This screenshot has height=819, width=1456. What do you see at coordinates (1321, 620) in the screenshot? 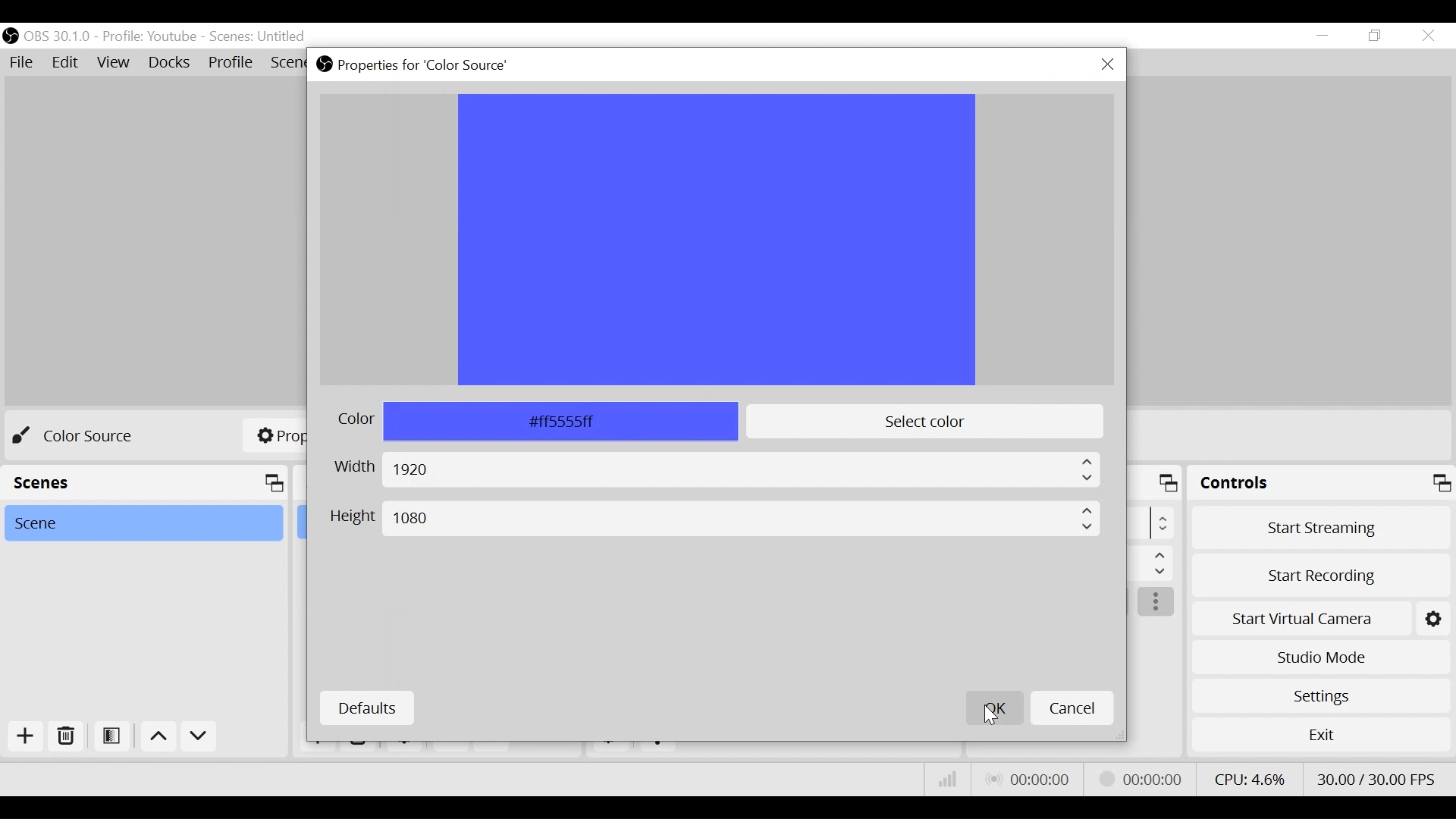
I see `Start Virtual Camera` at bounding box center [1321, 620].